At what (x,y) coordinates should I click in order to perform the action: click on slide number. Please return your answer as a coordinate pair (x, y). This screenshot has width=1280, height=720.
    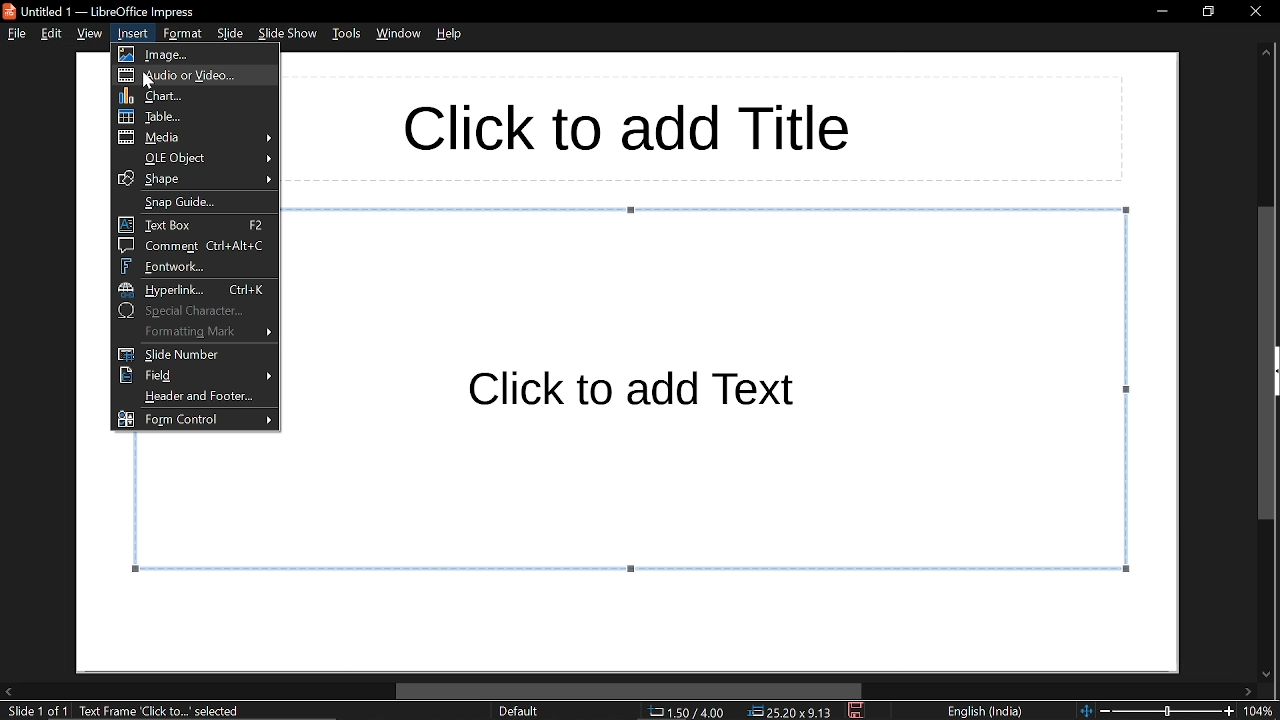
    Looking at the image, I should click on (196, 354).